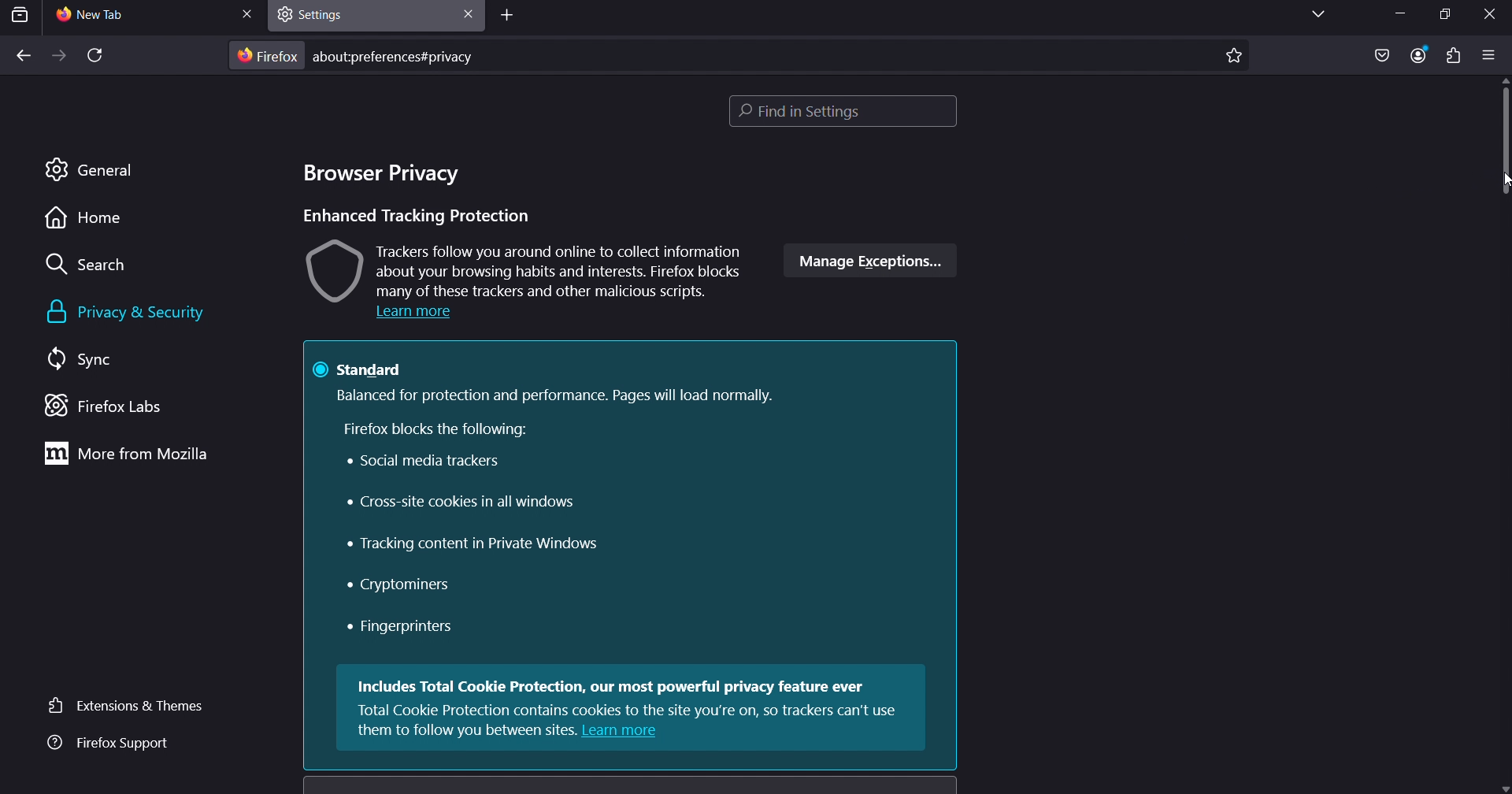  What do you see at coordinates (1381, 56) in the screenshot?
I see `save as pocket` at bounding box center [1381, 56].